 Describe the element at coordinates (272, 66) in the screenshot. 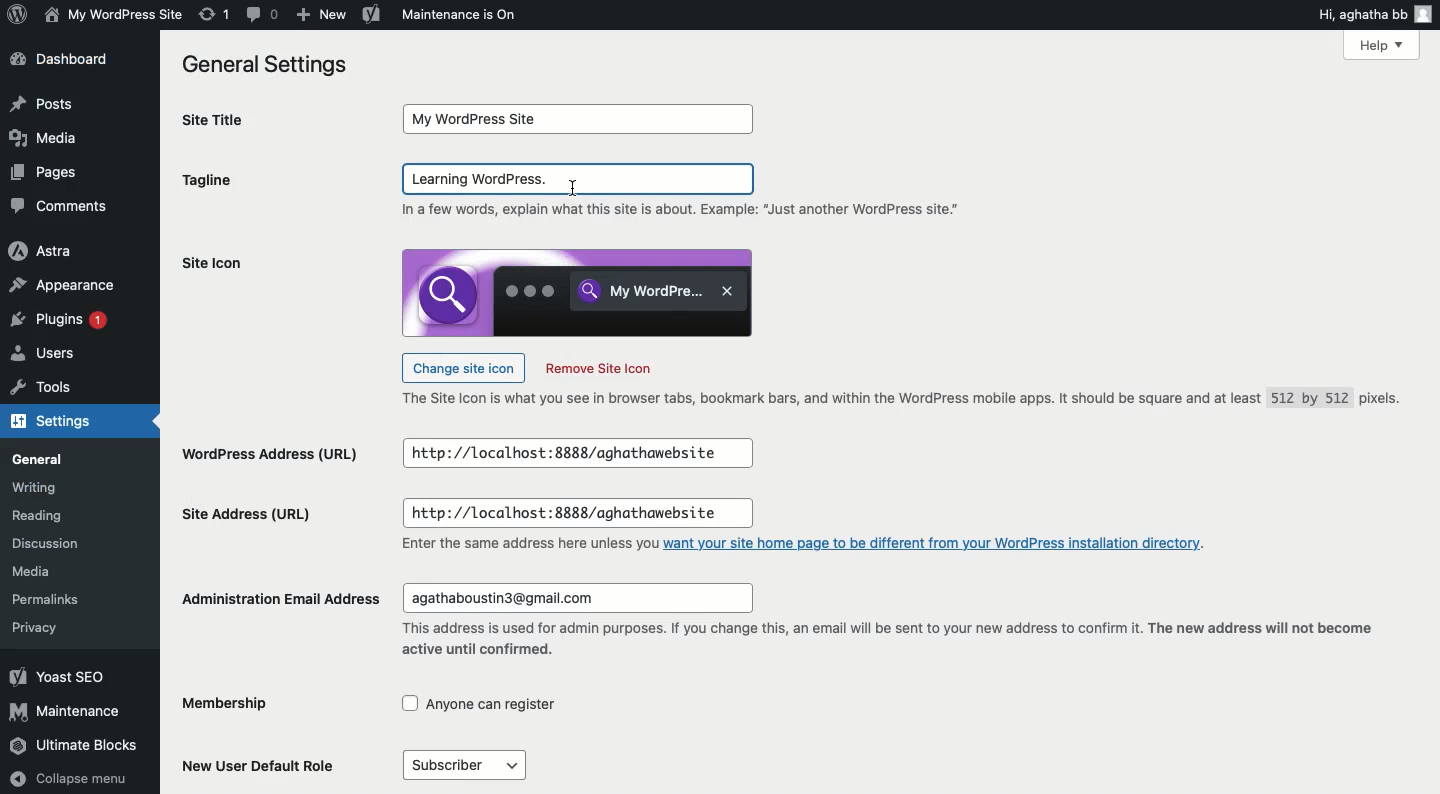

I see `General settings` at that location.